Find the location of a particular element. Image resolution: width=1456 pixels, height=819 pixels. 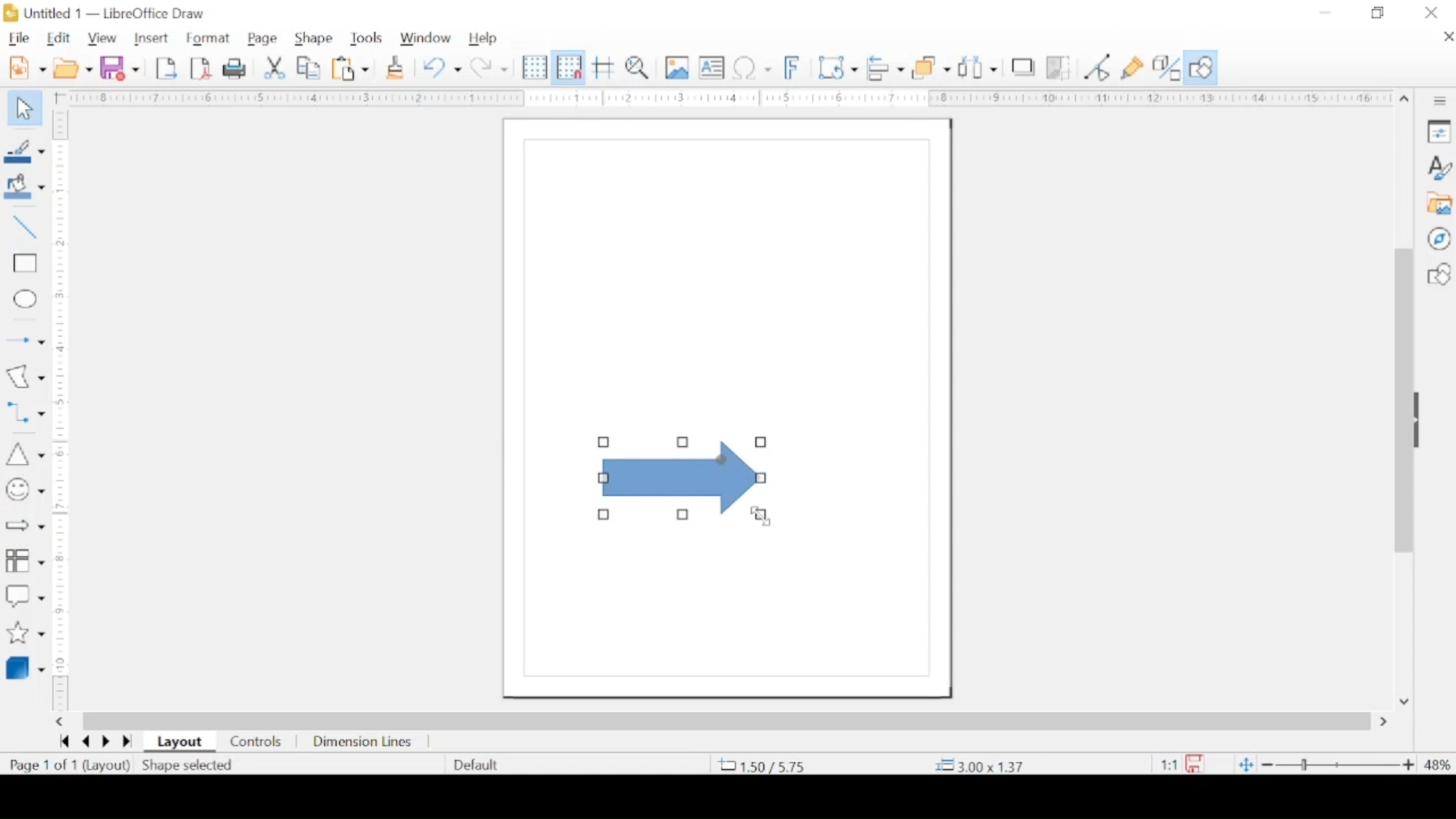

dimension lines is located at coordinates (363, 742).